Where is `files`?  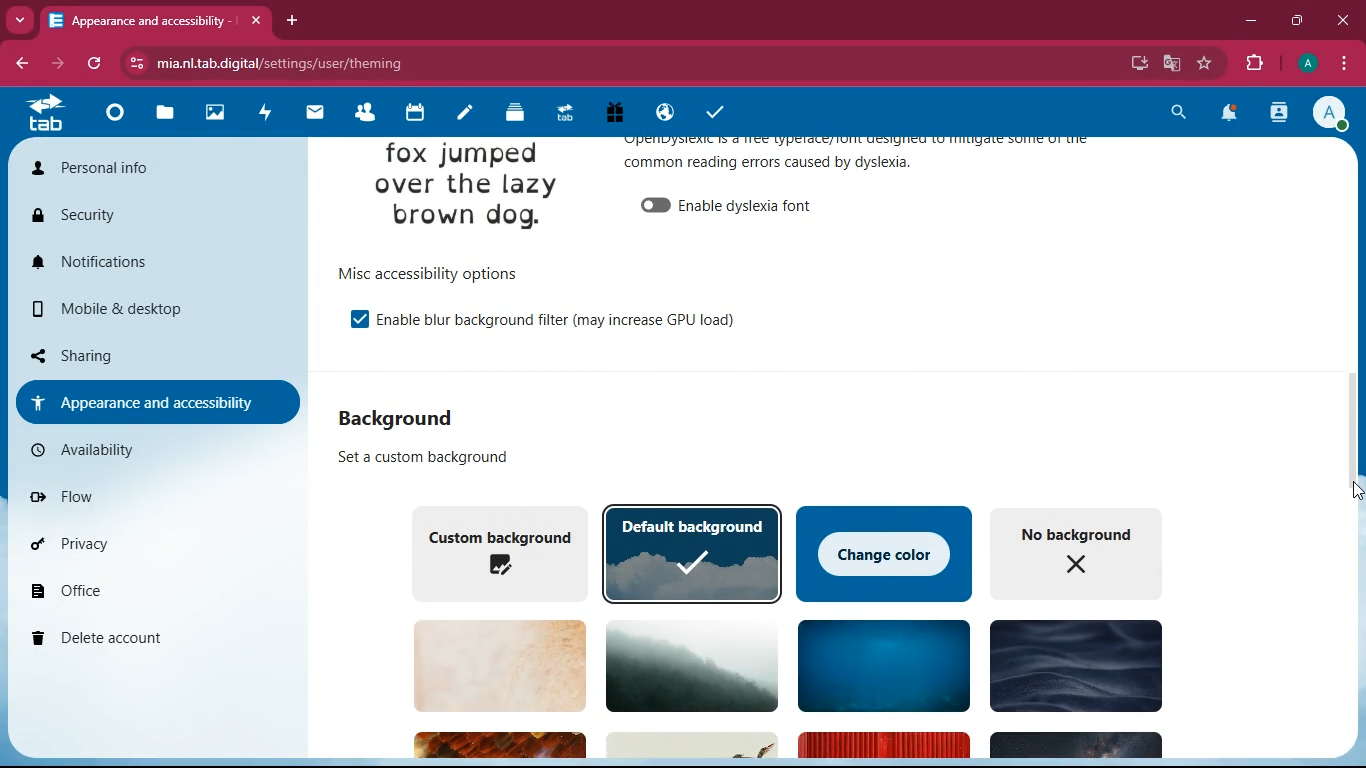
files is located at coordinates (164, 115).